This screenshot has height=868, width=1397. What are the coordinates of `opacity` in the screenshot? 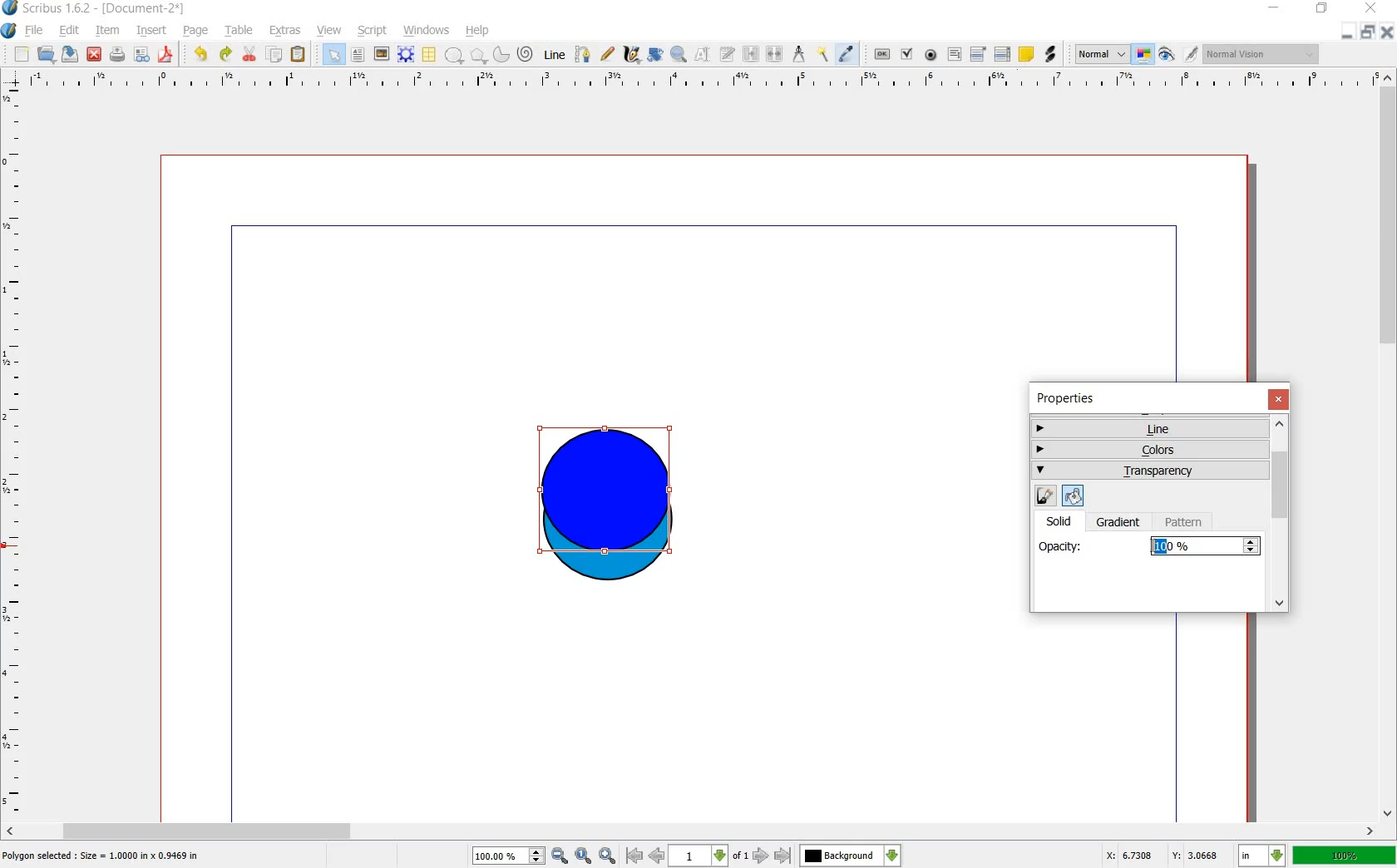 It's located at (1061, 545).